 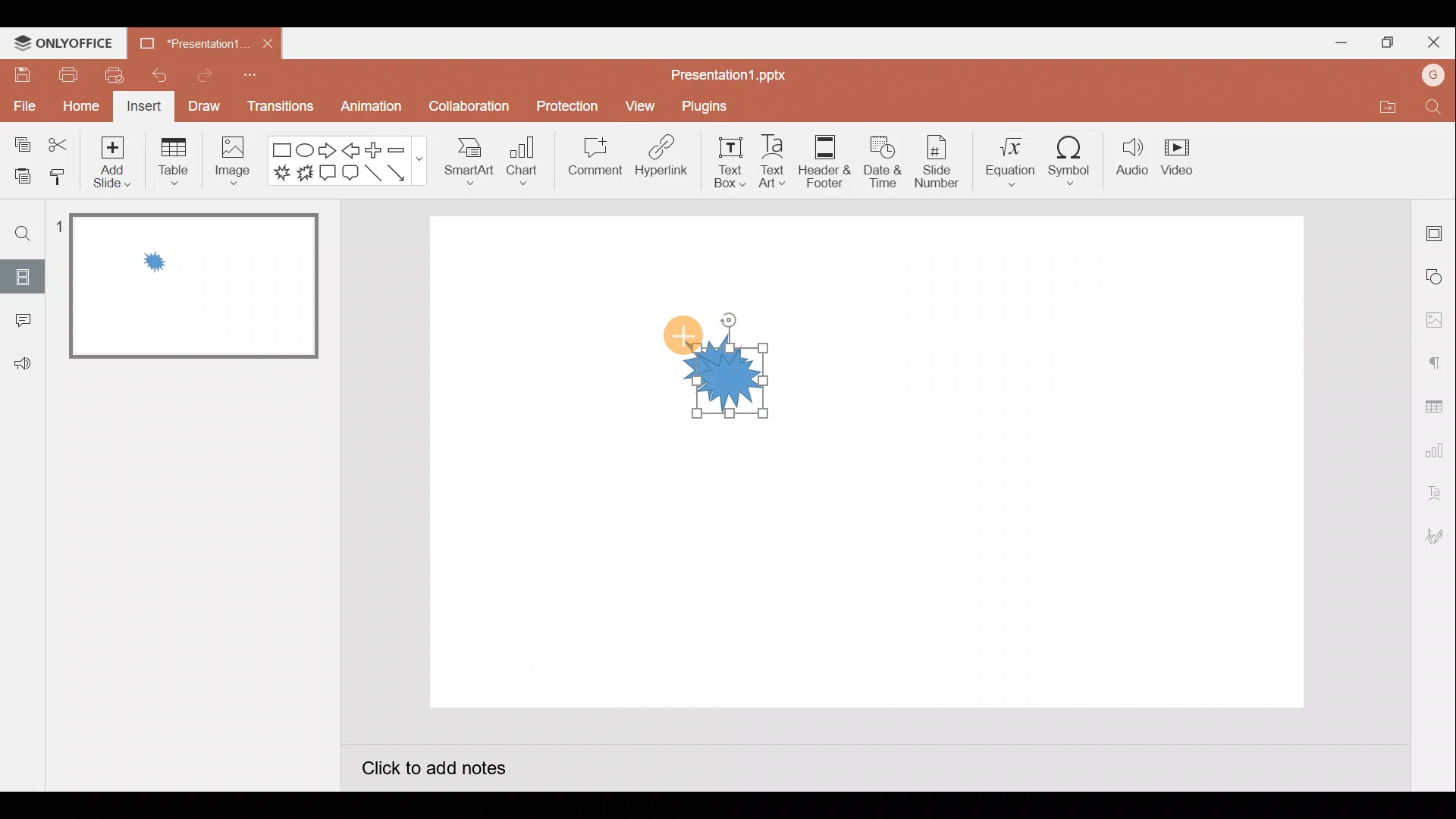 I want to click on Text Art, so click(x=770, y=162).